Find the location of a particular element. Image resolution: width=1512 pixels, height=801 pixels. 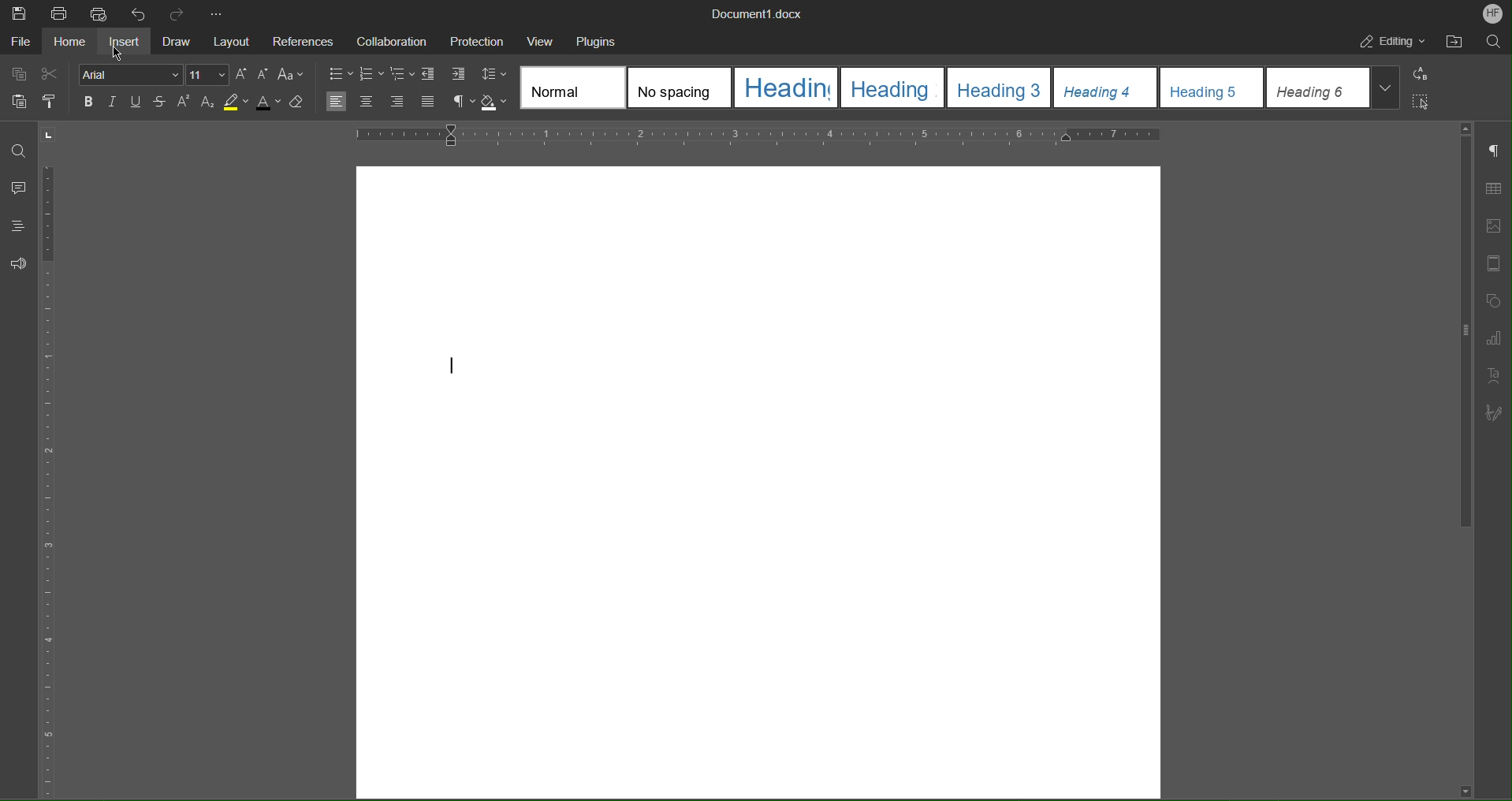

Decrease font is located at coordinates (262, 75).